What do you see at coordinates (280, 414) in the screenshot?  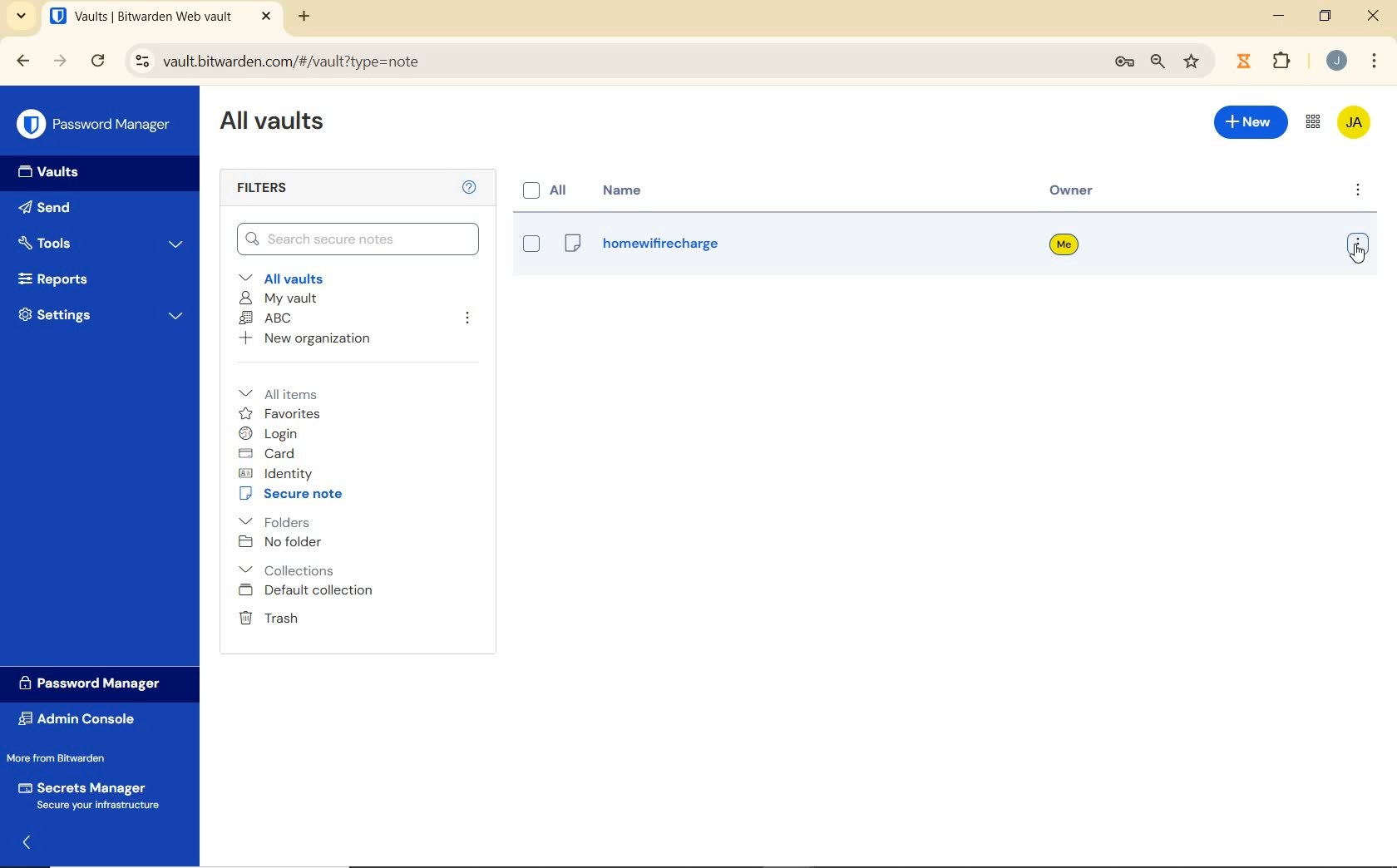 I see `favorites` at bounding box center [280, 414].